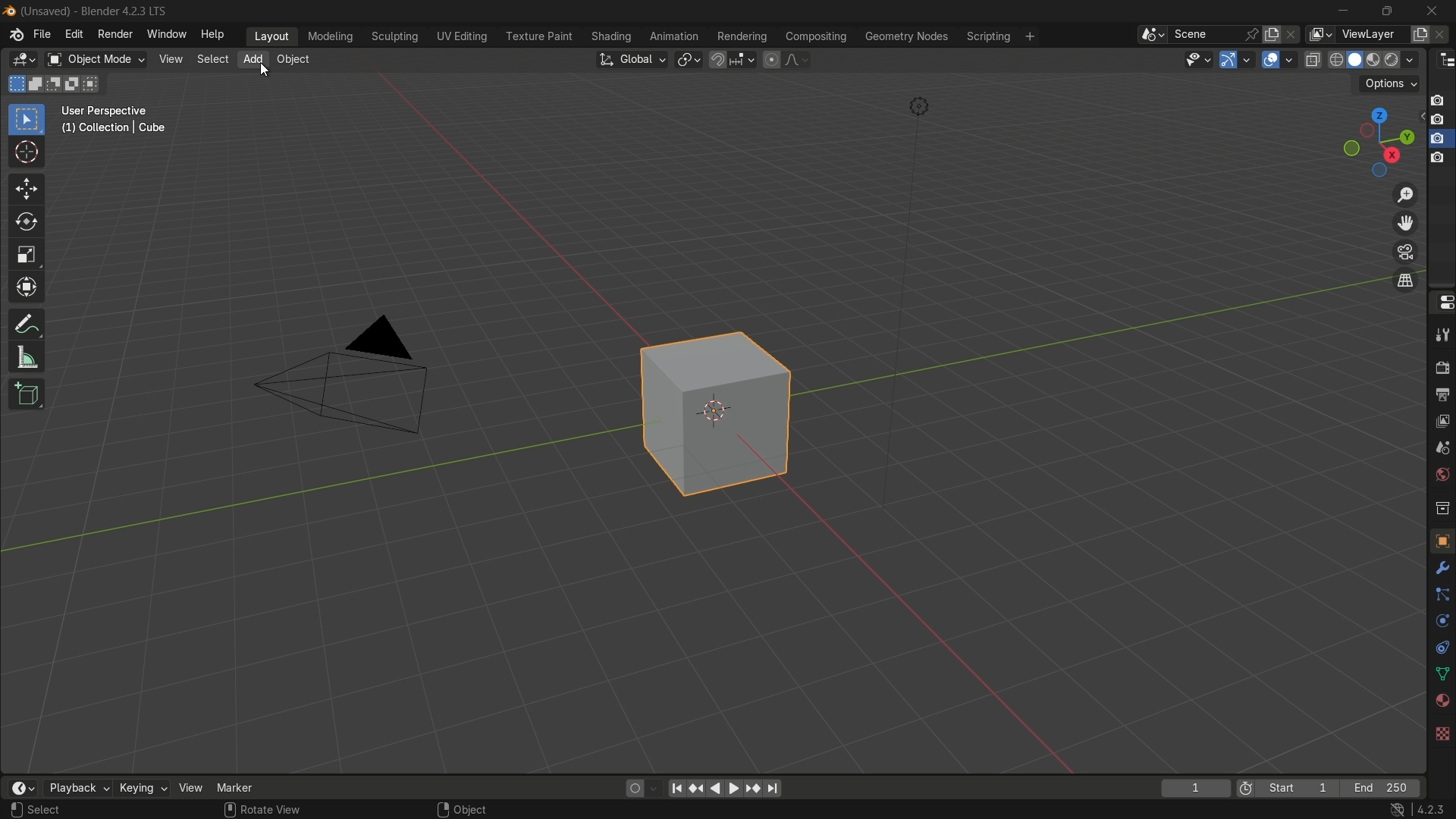 This screenshot has height=819, width=1456. What do you see at coordinates (108, 111) in the screenshot?
I see `User Perspective` at bounding box center [108, 111].